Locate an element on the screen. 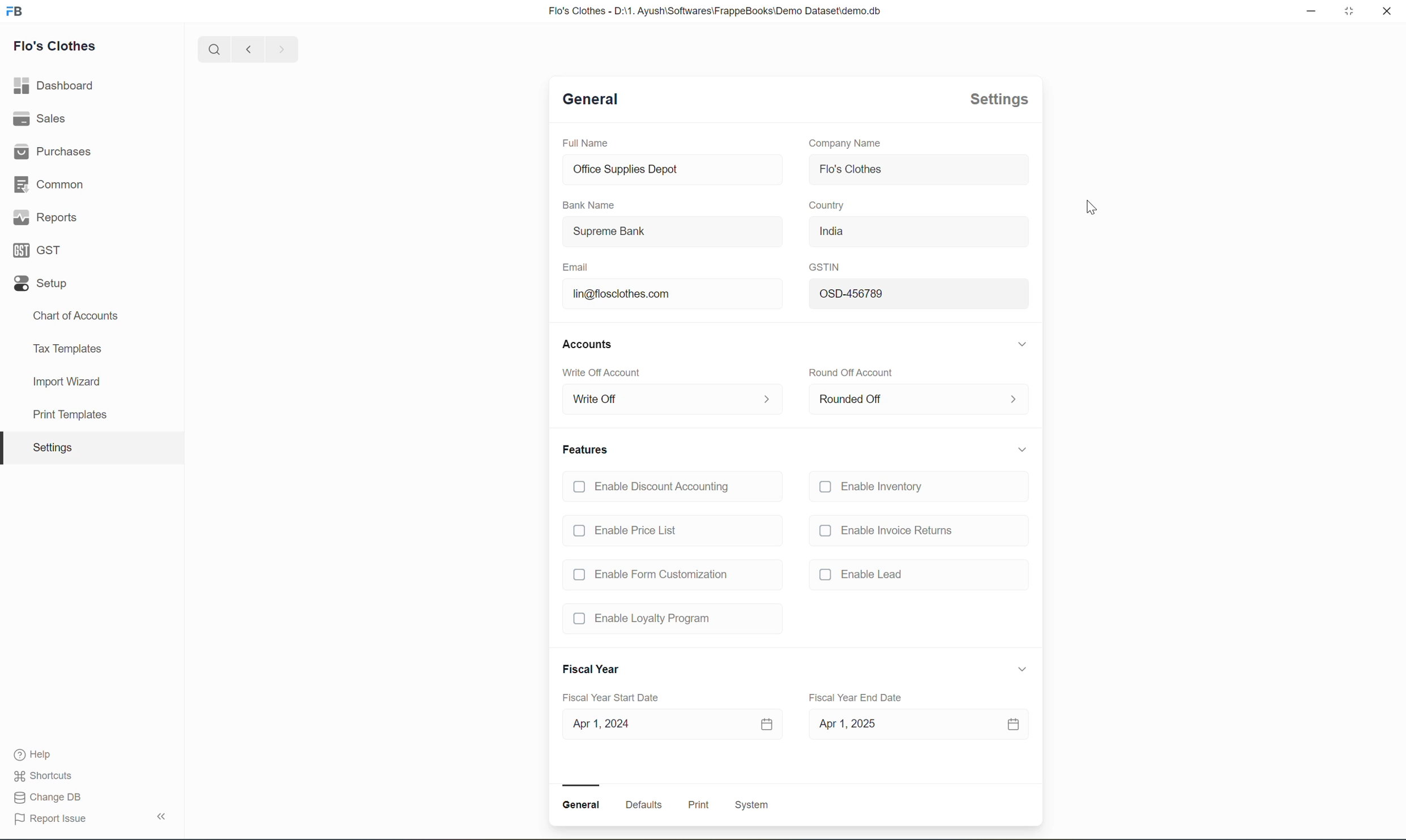 Image resolution: width=1406 pixels, height=840 pixels. Features is located at coordinates (587, 449).